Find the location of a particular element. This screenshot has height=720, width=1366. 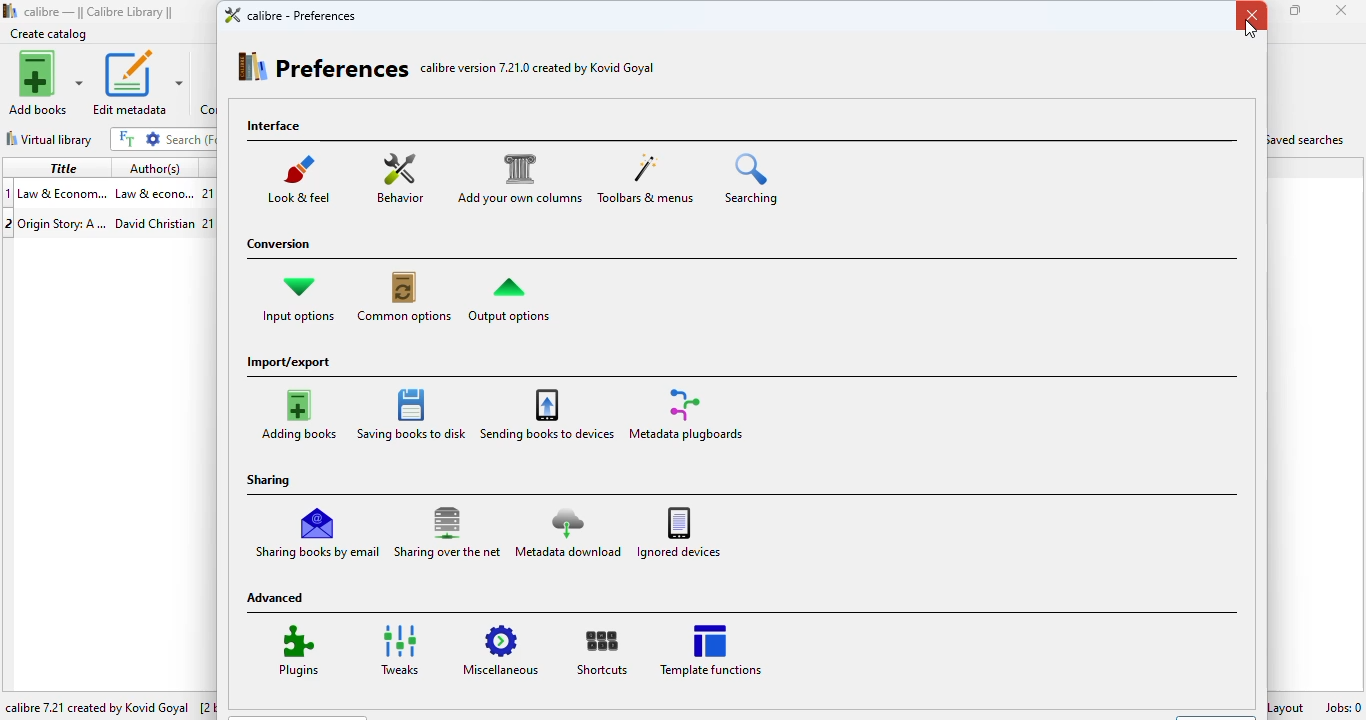

import/export is located at coordinates (289, 363).